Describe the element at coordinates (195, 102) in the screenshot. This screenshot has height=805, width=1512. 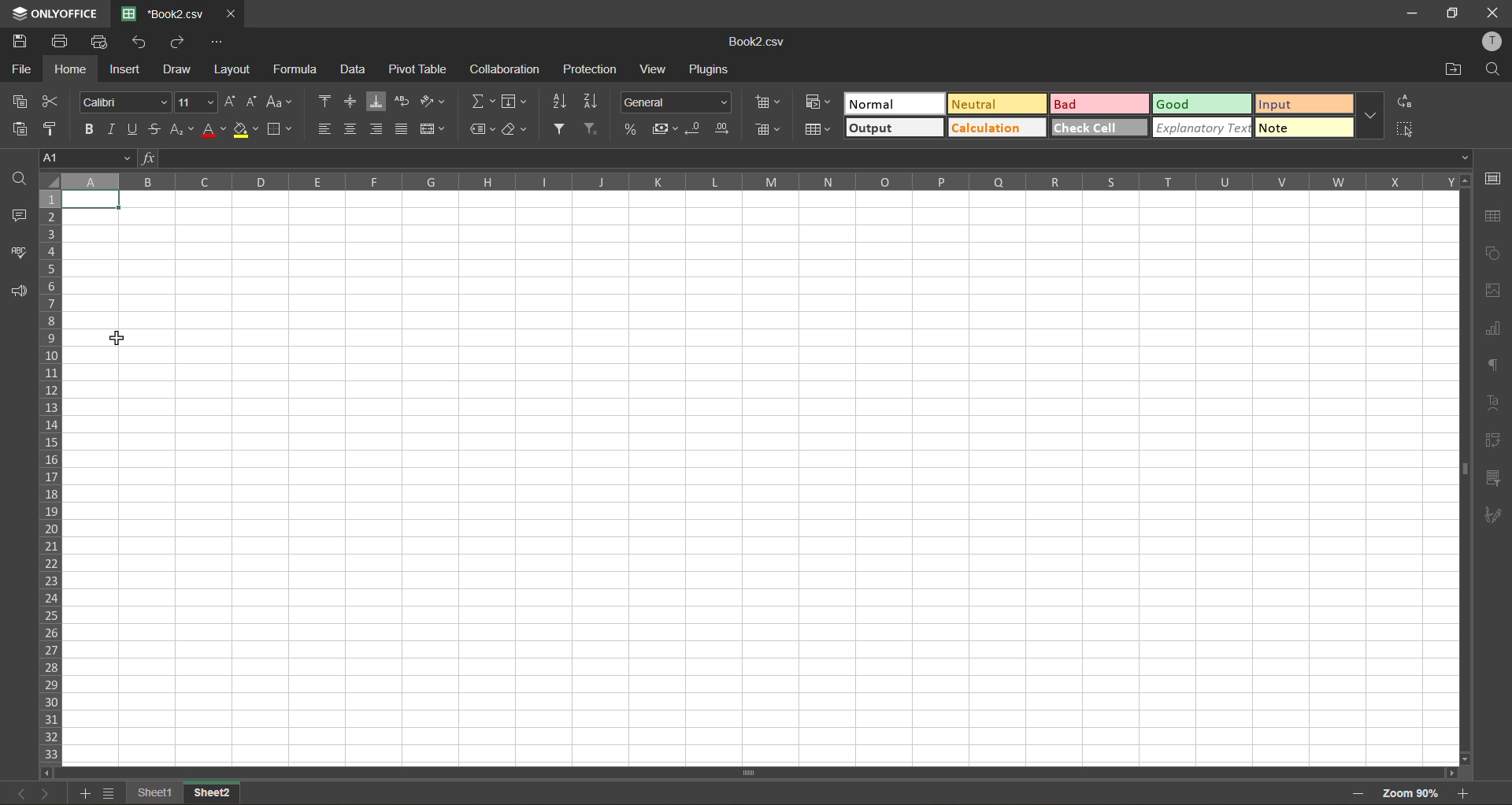
I see `font size` at that location.